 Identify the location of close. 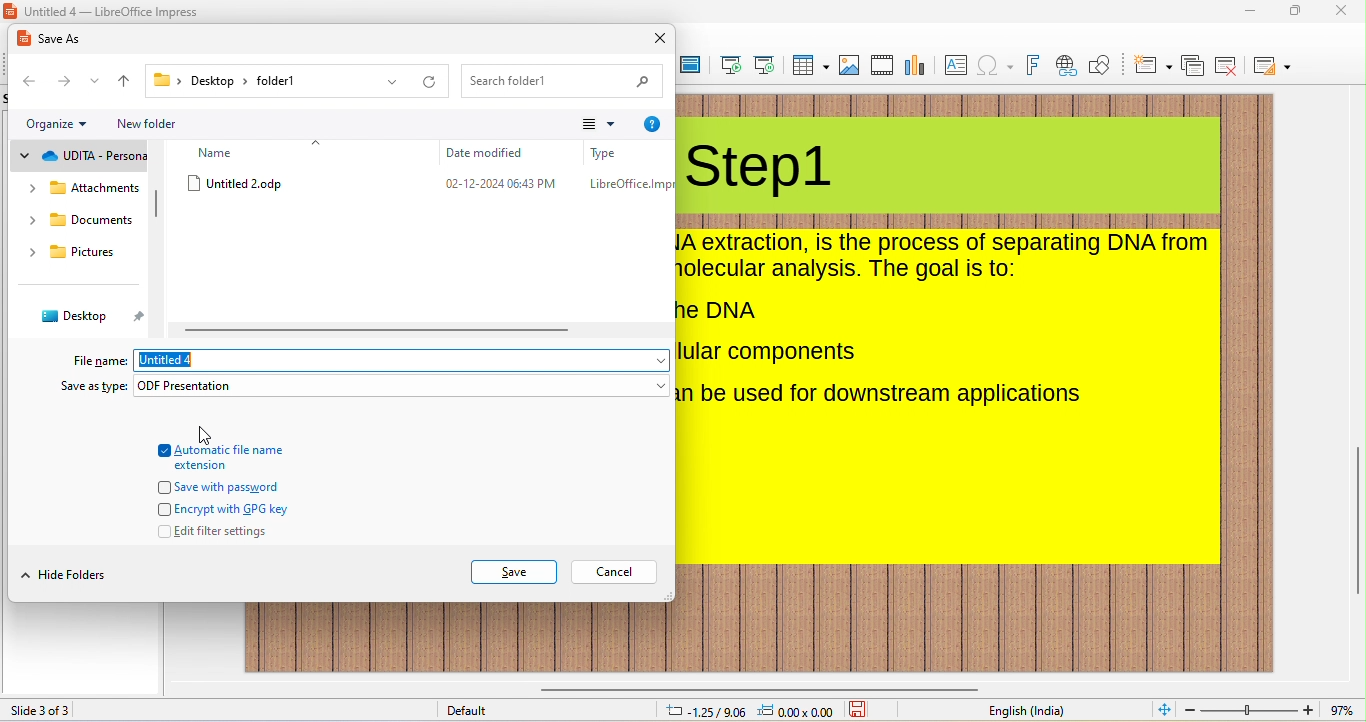
(1346, 12).